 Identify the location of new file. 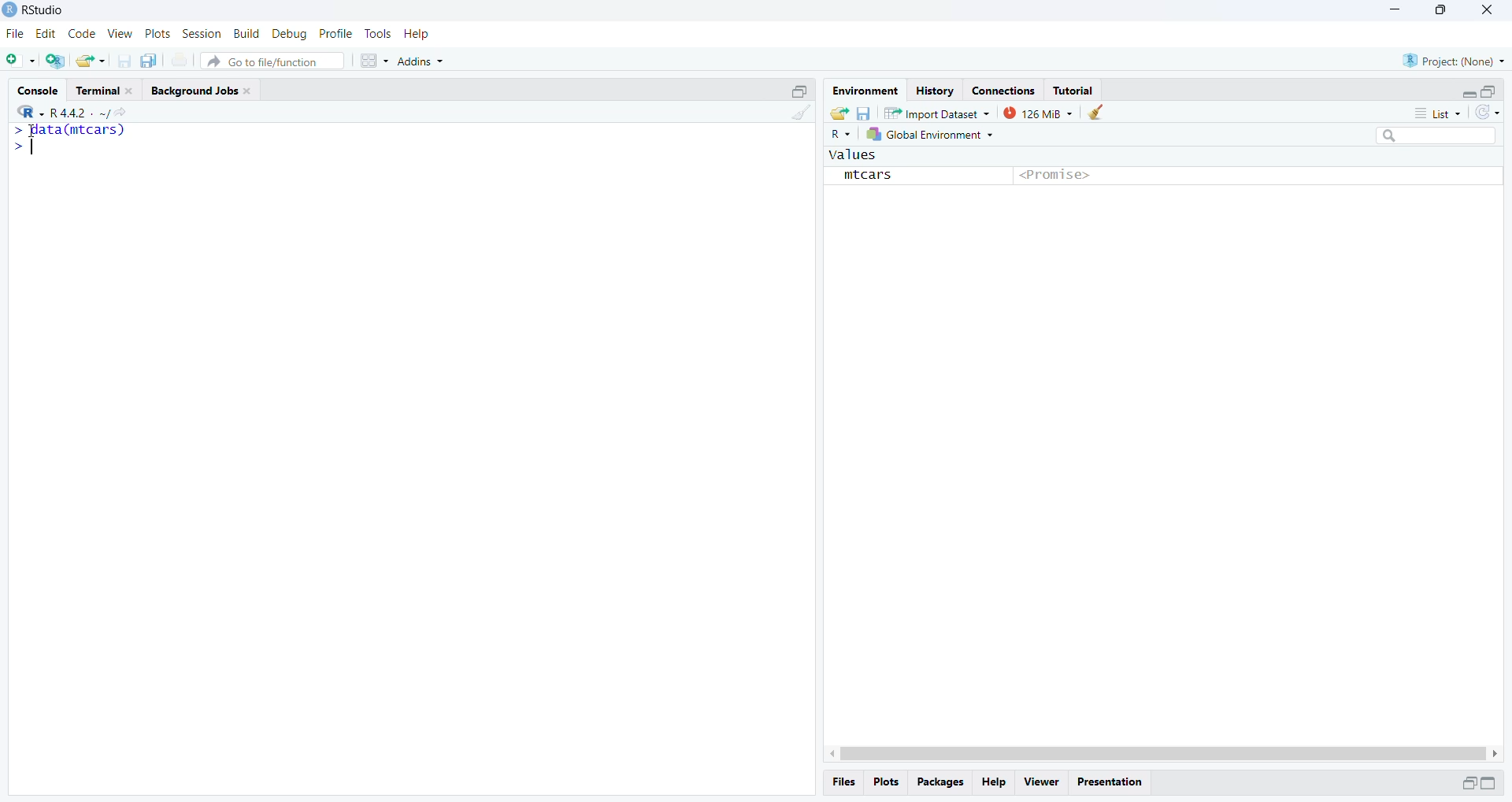
(21, 61).